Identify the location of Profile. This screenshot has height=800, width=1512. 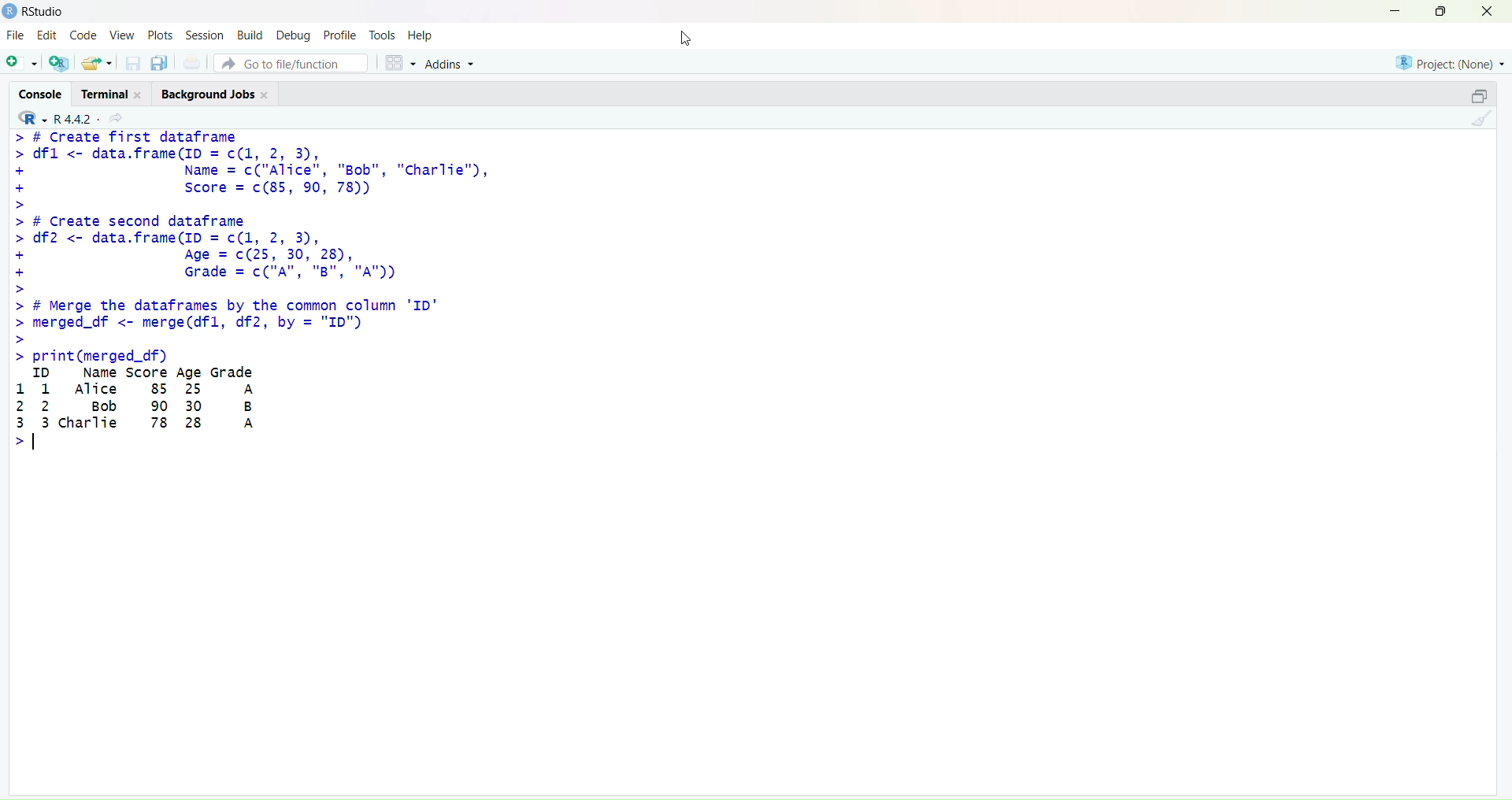
(341, 35).